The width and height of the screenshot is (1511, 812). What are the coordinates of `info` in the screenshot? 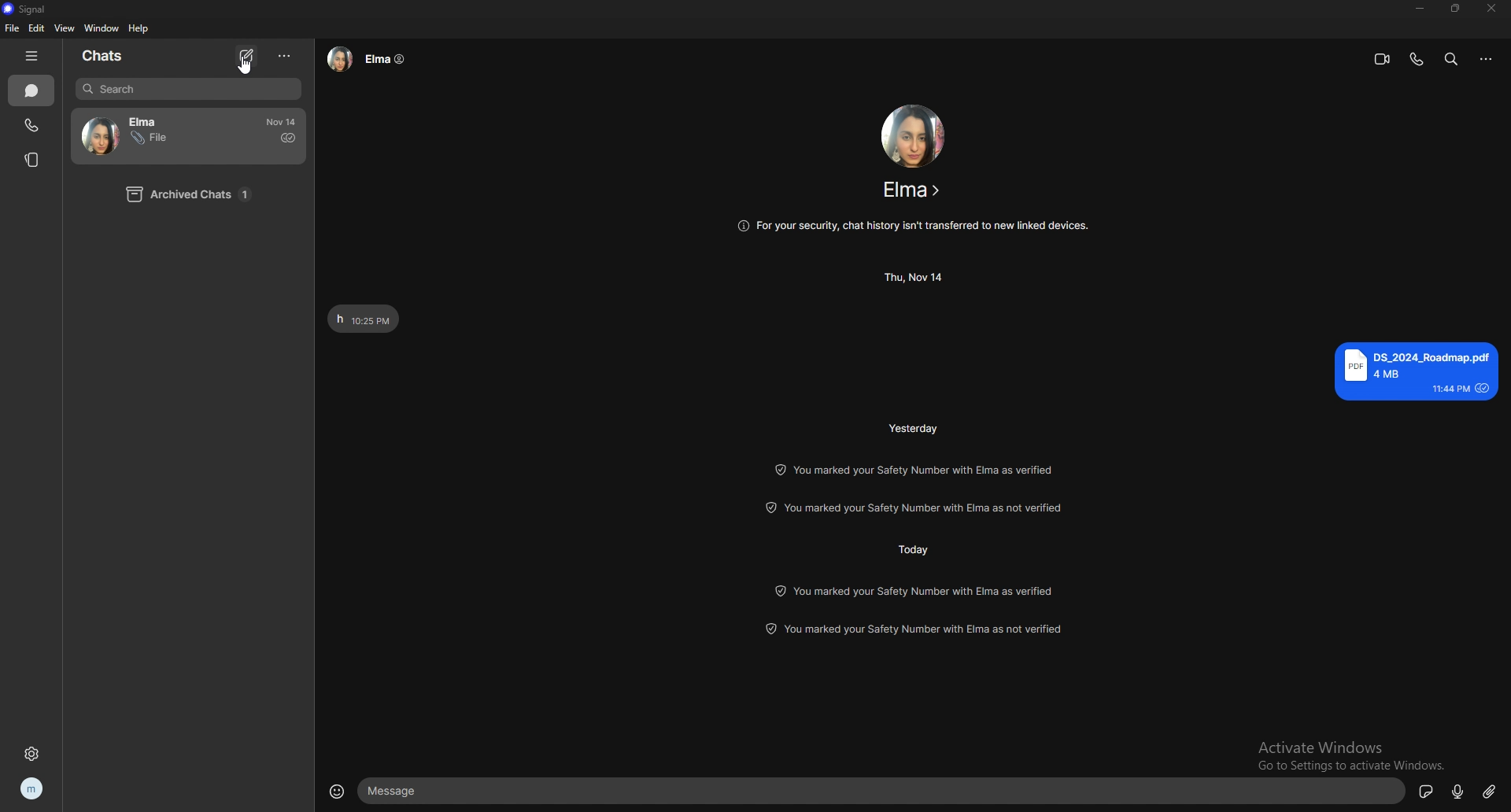 It's located at (912, 226).